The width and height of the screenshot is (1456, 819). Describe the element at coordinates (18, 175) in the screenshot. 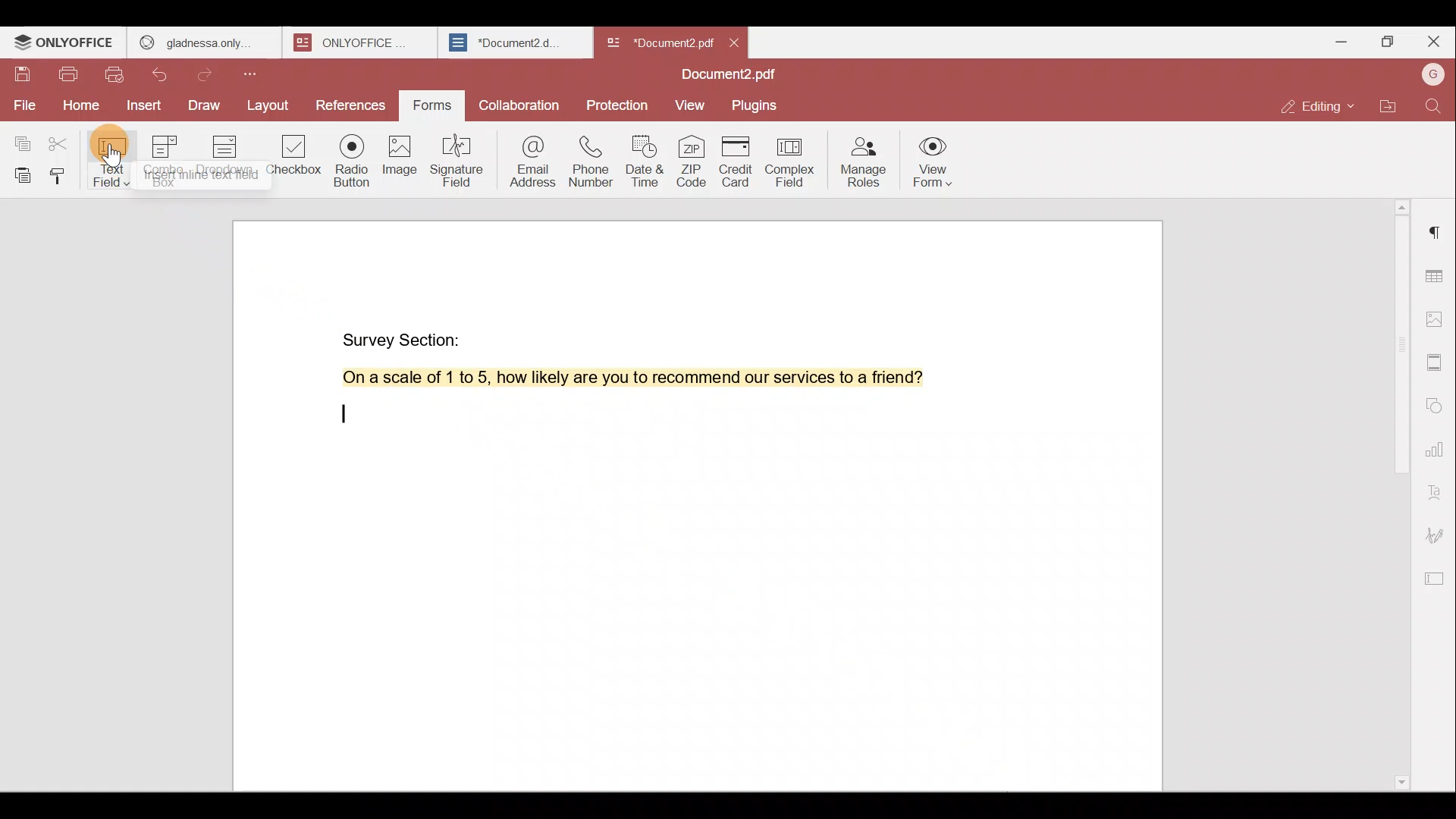

I see `Paste` at that location.